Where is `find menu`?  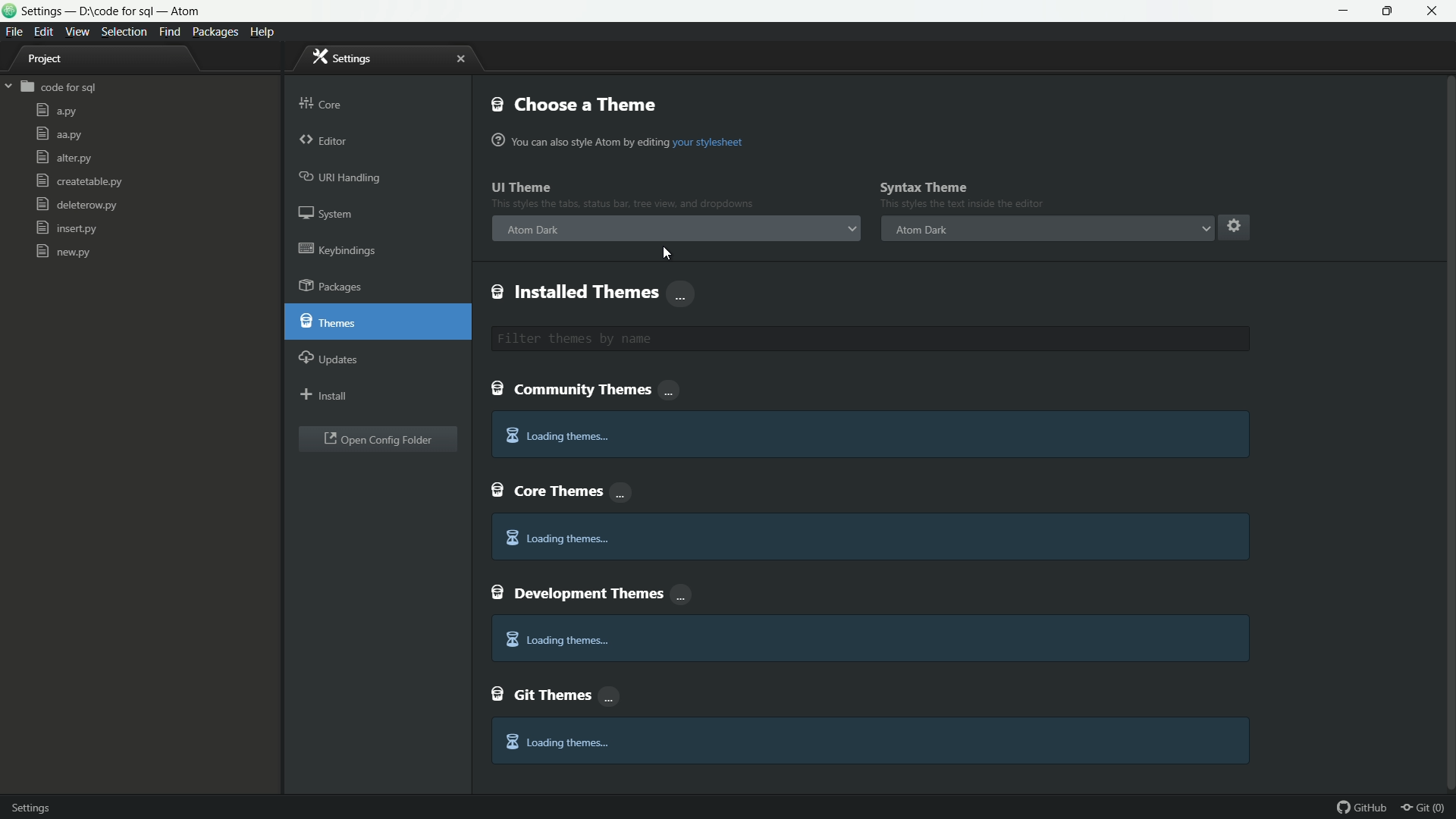 find menu is located at coordinates (168, 31).